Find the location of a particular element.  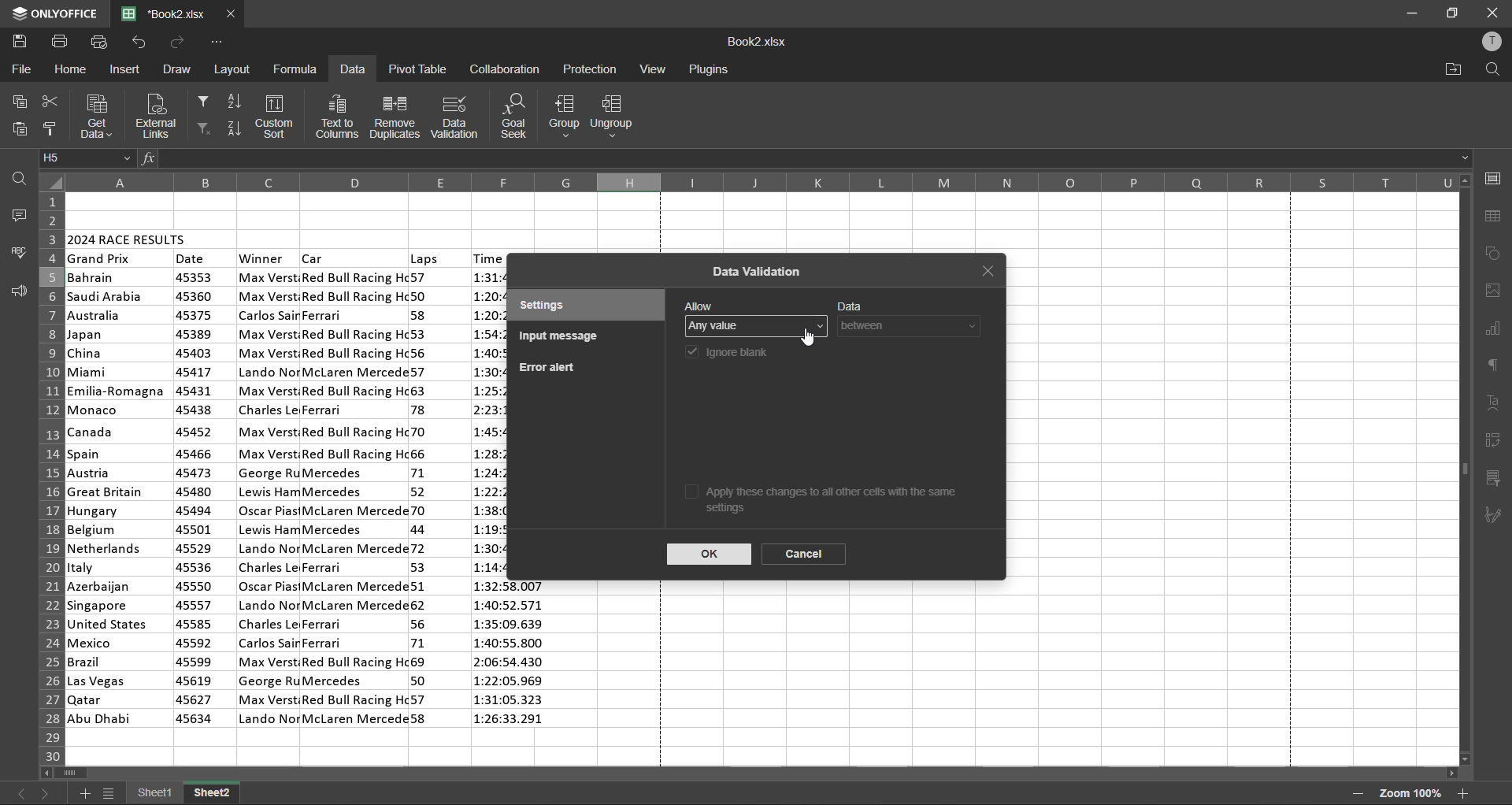

checkbox is located at coordinates (692, 491).